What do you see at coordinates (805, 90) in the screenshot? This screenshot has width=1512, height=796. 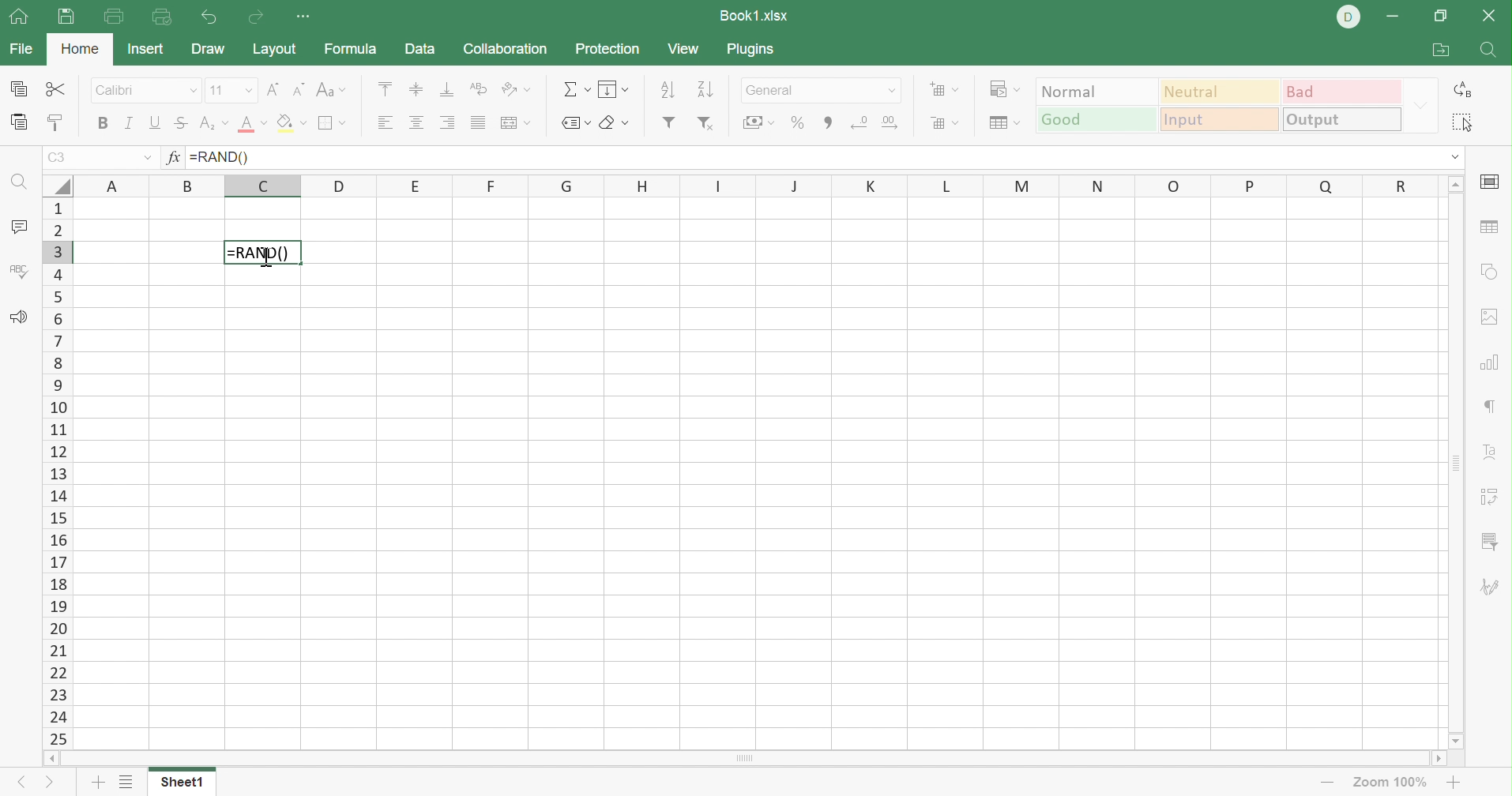 I see `General` at bounding box center [805, 90].